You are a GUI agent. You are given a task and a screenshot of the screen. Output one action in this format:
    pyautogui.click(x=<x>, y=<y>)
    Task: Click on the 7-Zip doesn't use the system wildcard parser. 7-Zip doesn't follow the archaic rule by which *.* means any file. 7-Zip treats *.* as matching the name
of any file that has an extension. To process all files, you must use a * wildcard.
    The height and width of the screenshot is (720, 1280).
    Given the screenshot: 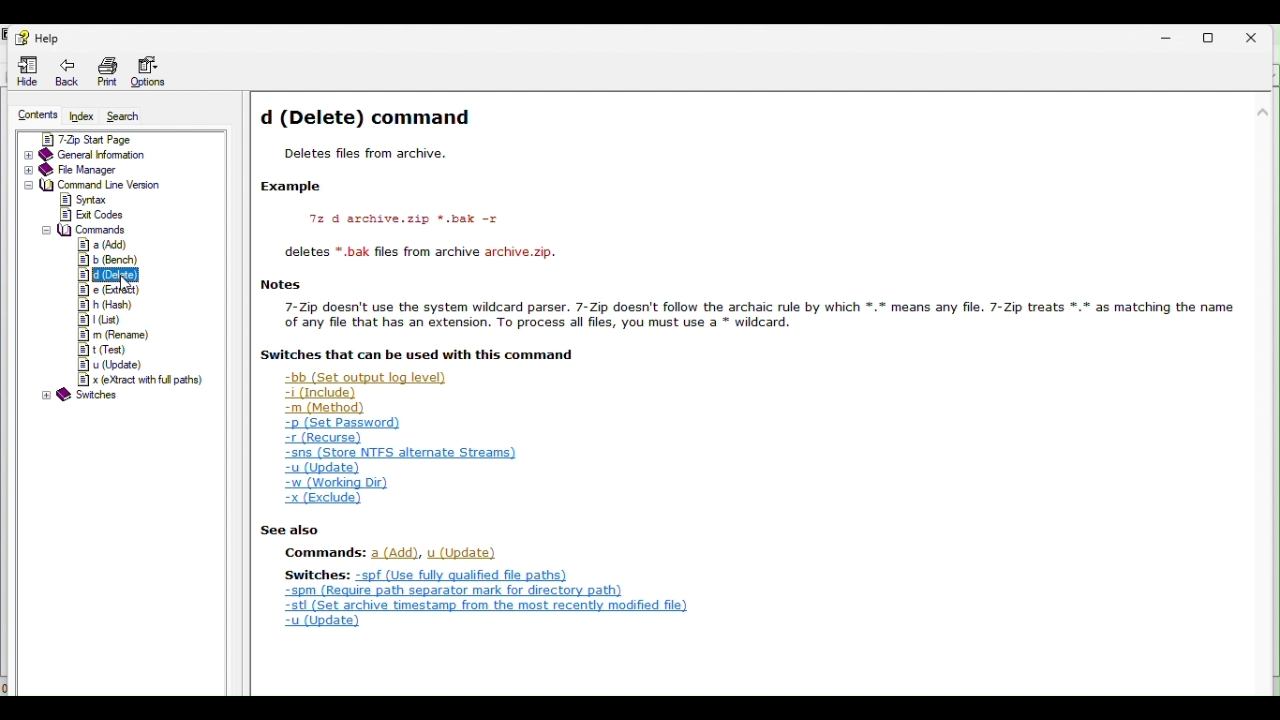 What is the action you would take?
    pyautogui.click(x=762, y=317)
    